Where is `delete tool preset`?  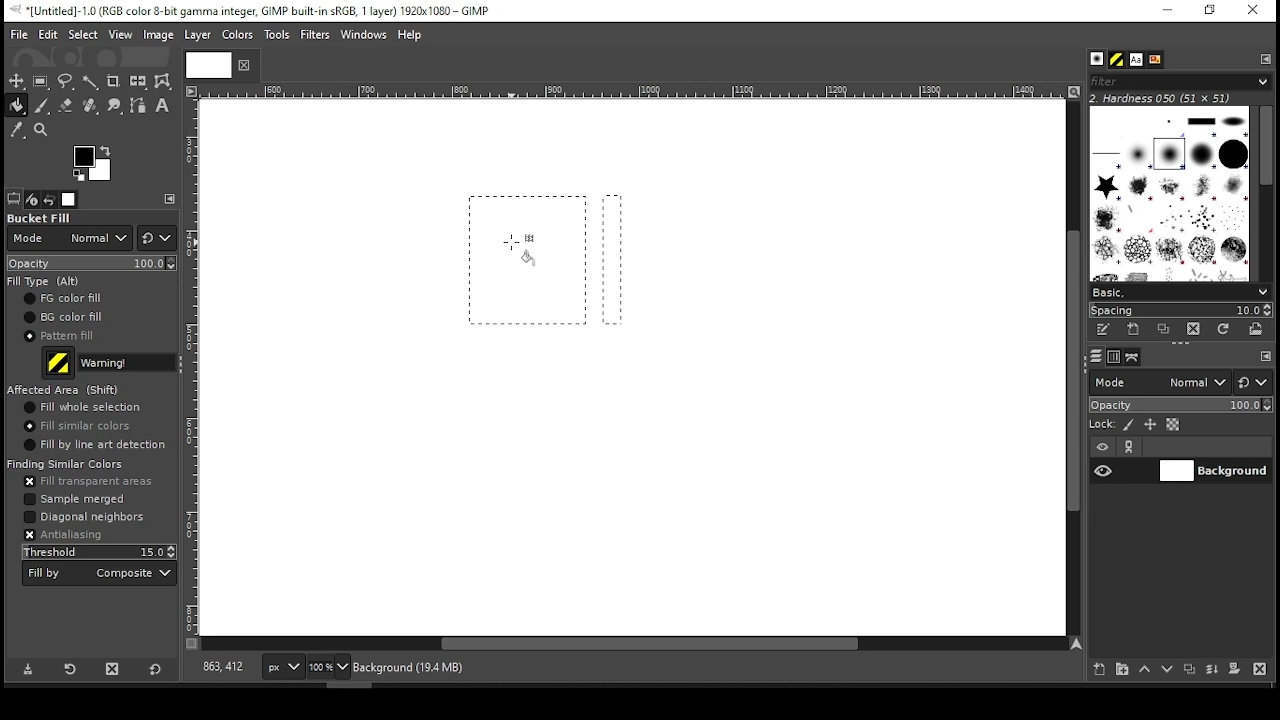 delete tool preset is located at coordinates (118, 668).